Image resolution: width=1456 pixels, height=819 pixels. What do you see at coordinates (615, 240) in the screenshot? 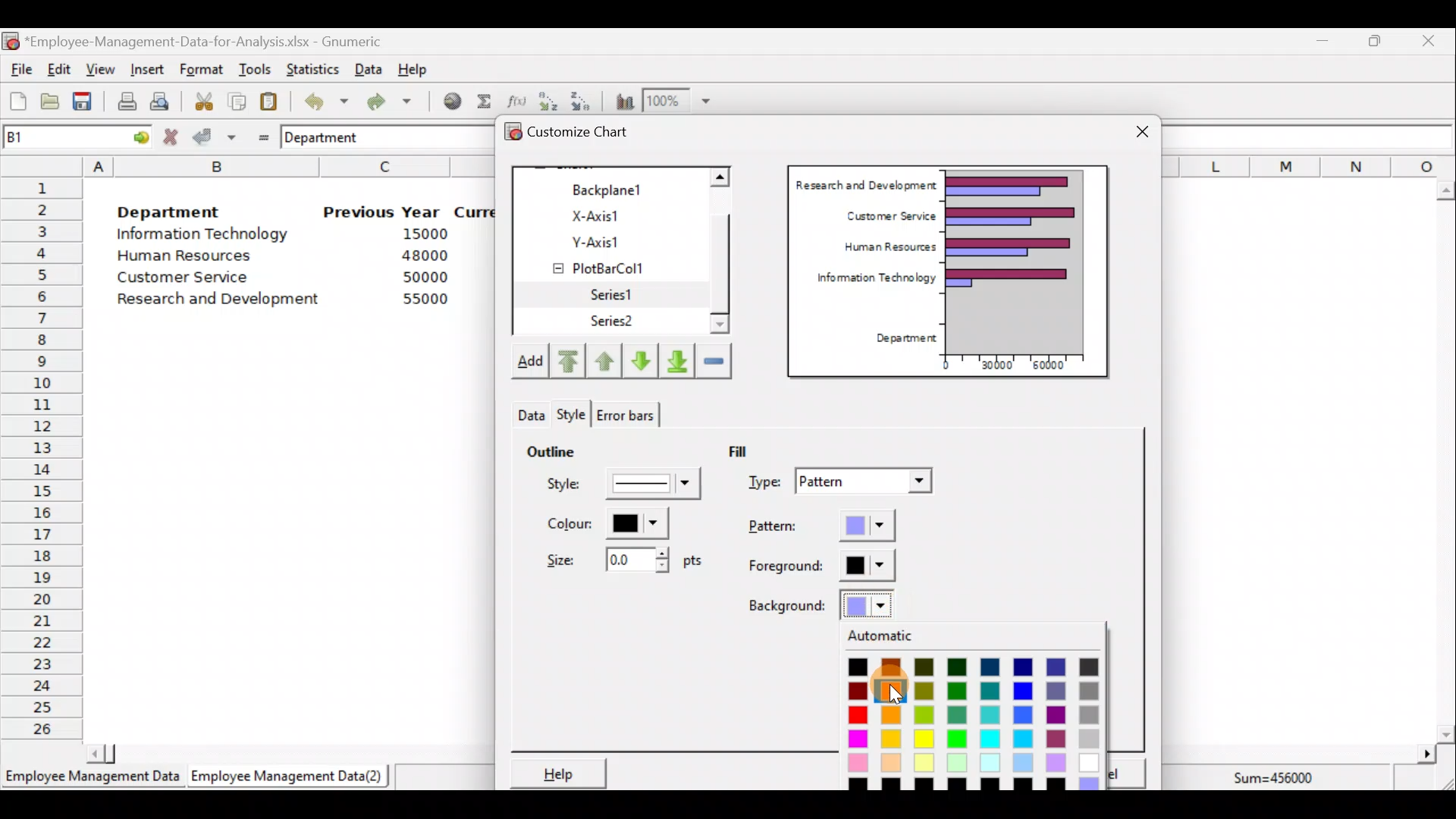
I see `Y-axis1` at bounding box center [615, 240].